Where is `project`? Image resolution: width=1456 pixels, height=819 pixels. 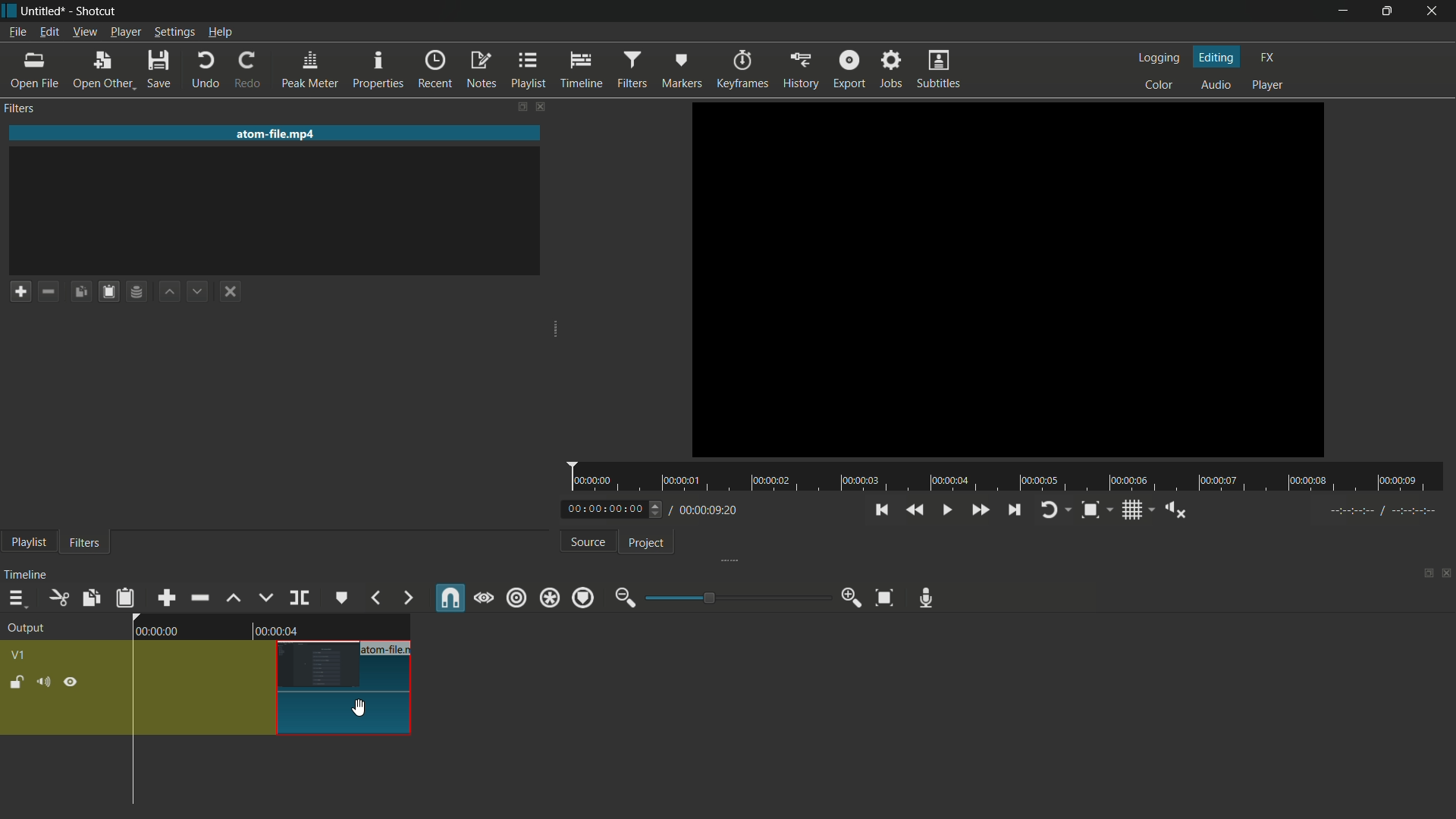
project is located at coordinates (648, 542).